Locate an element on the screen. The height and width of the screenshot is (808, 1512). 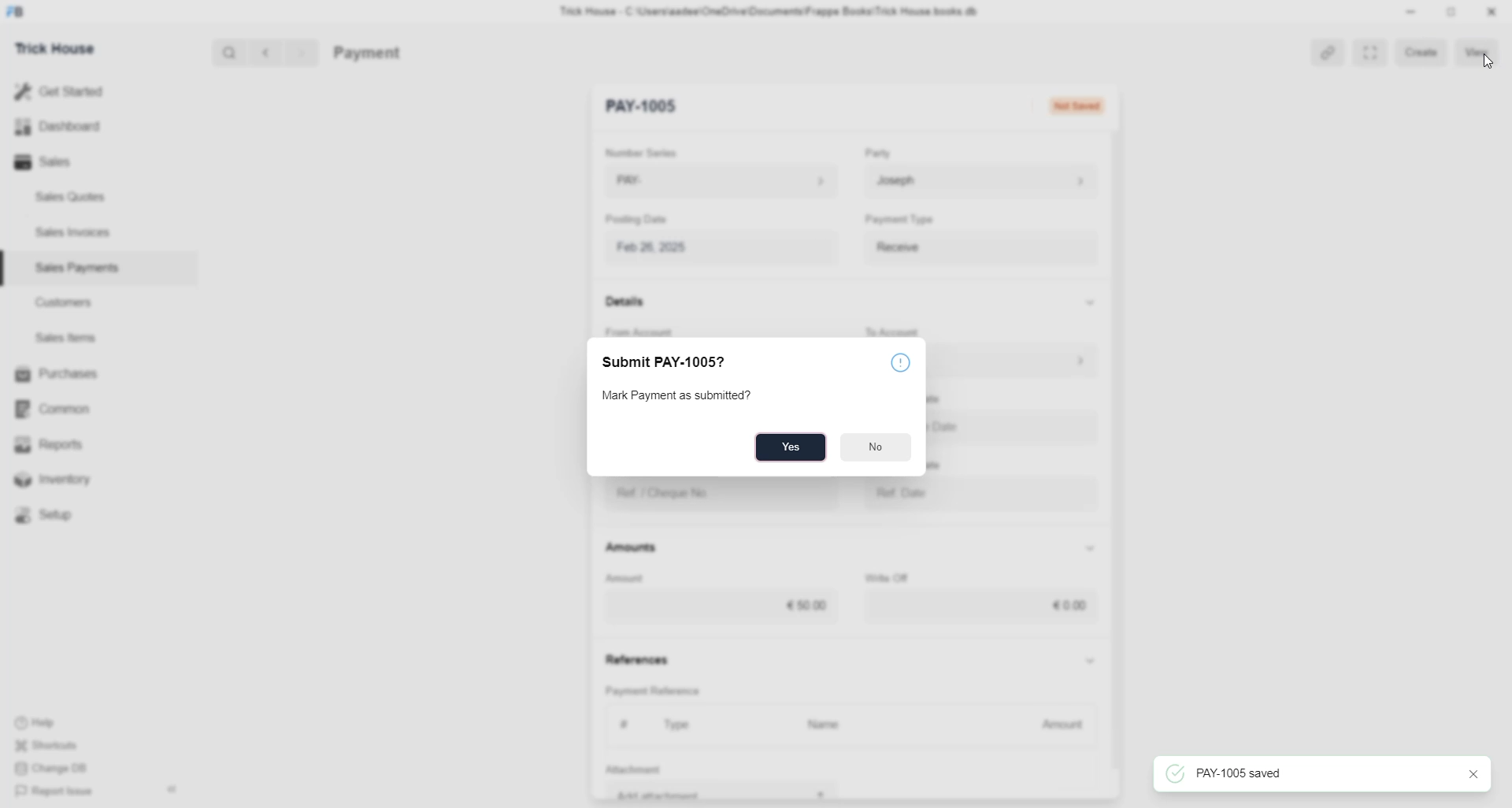
€0.00 is located at coordinates (982, 606).